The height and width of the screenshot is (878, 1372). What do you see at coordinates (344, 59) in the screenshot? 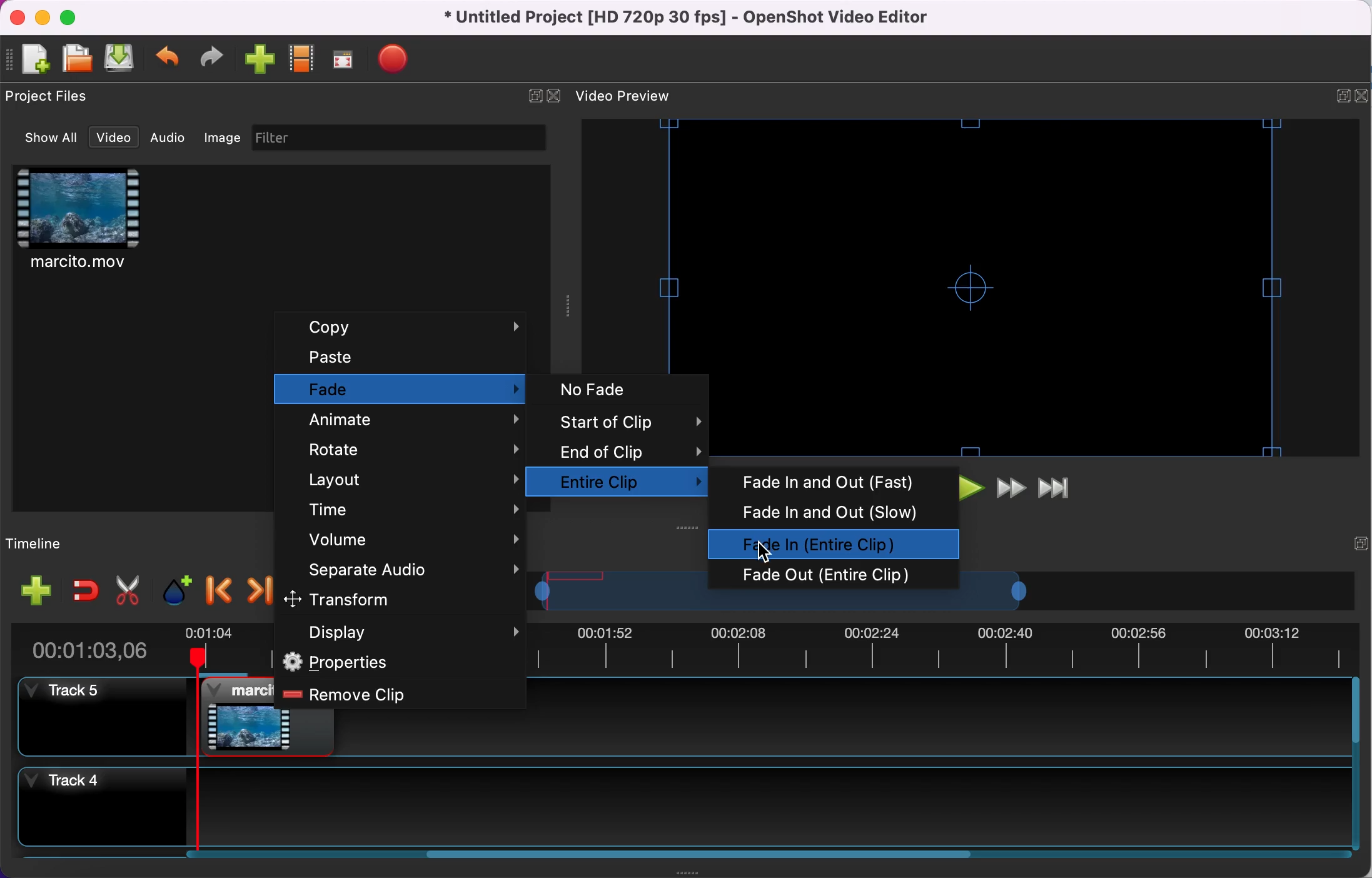
I see `full screen` at bounding box center [344, 59].